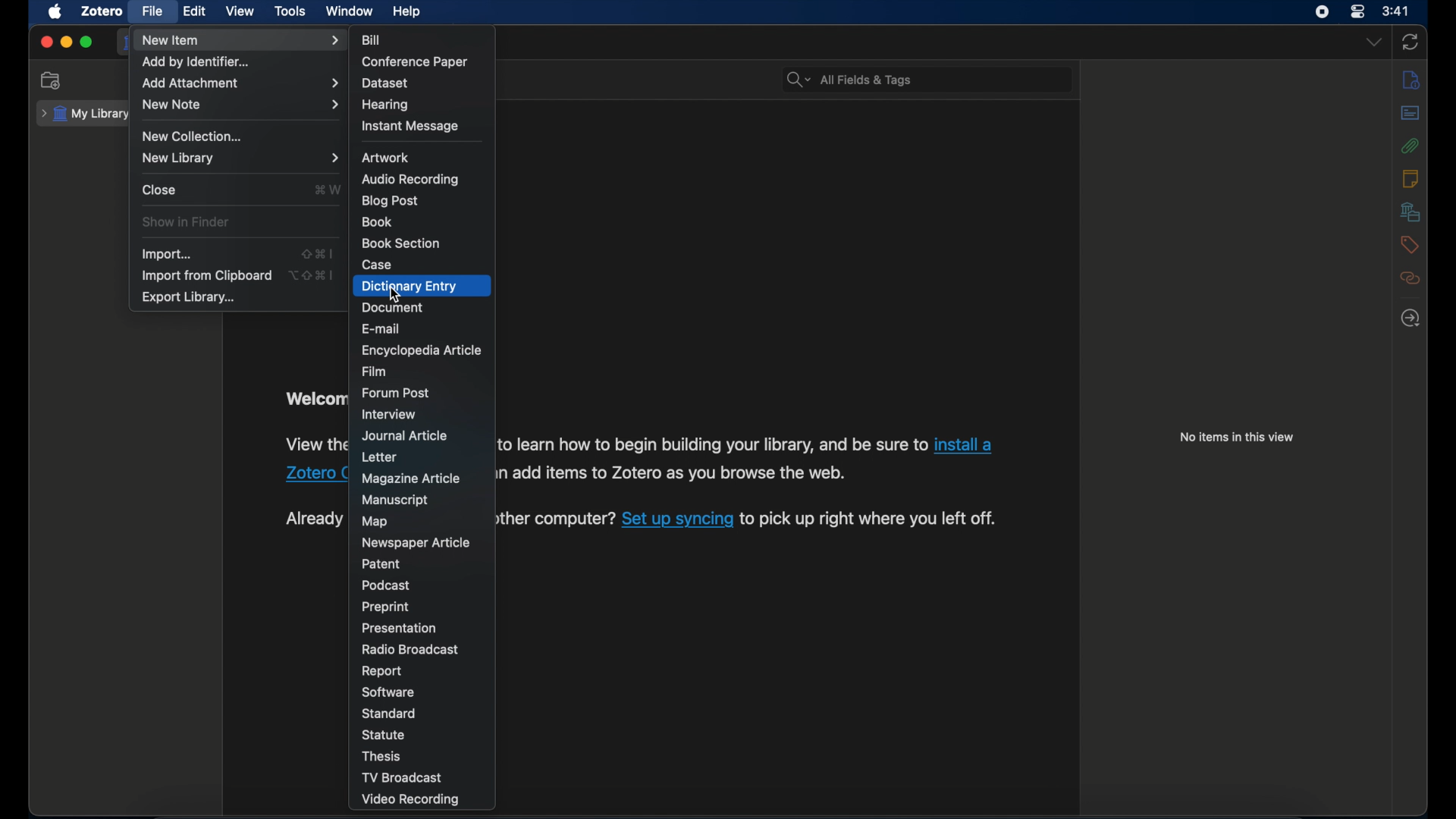  Describe the element at coordinates (408, 12) in the screenshot. I see `help` at that location.